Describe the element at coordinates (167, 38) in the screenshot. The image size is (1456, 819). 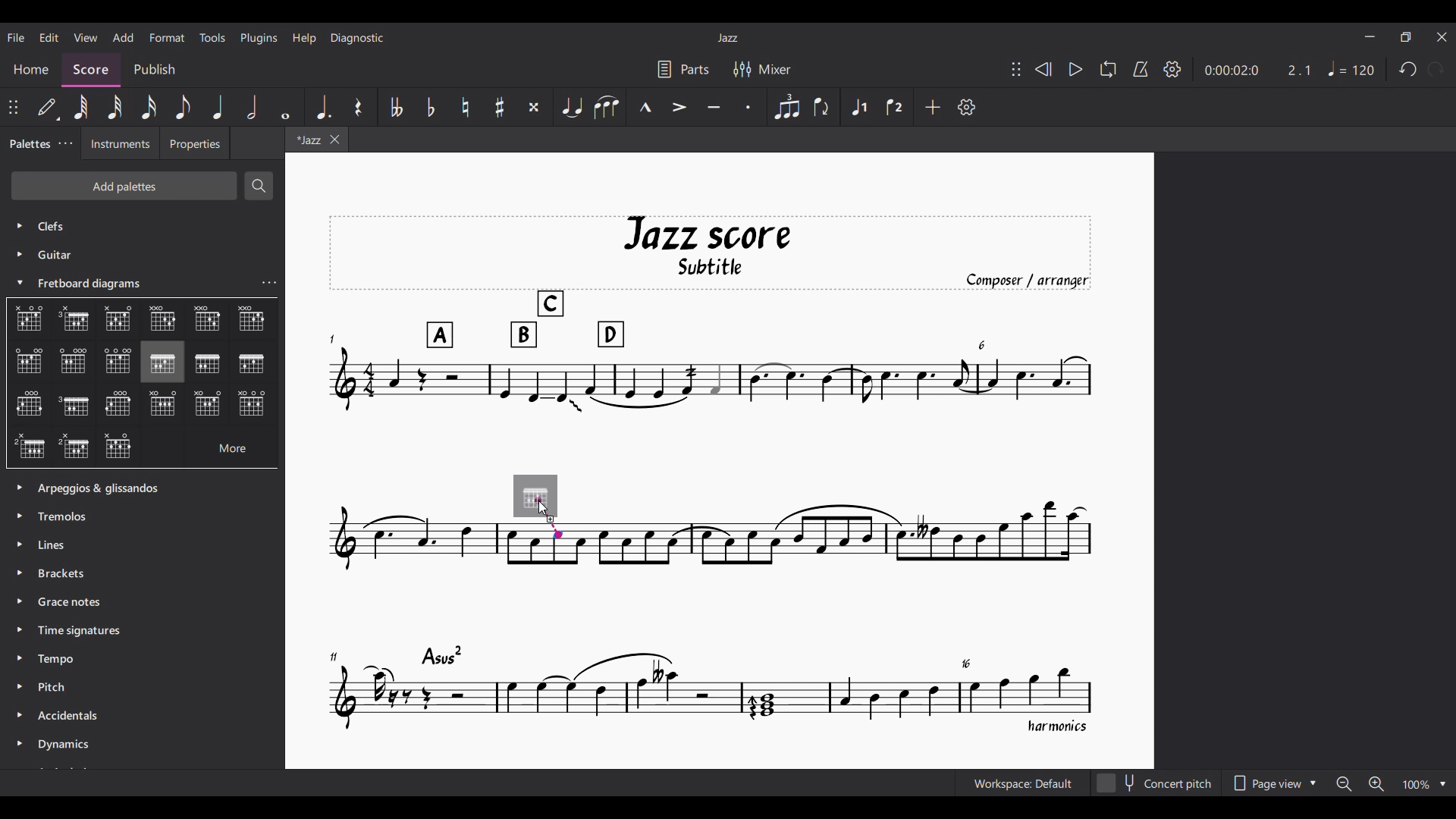
I see `Format menu` at that location.